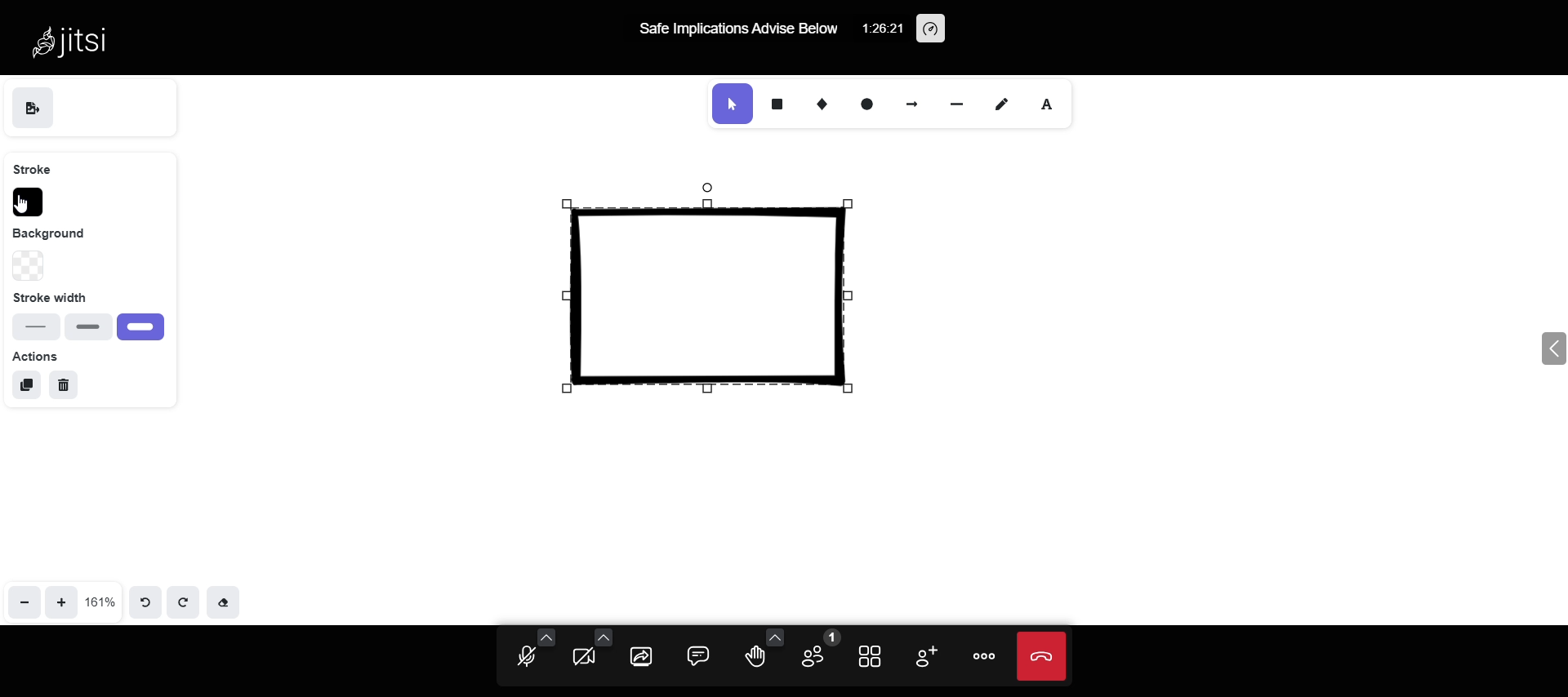  Describe the element at coordinates (771, 628) in the screenshot. I see `more reaction` at that location.